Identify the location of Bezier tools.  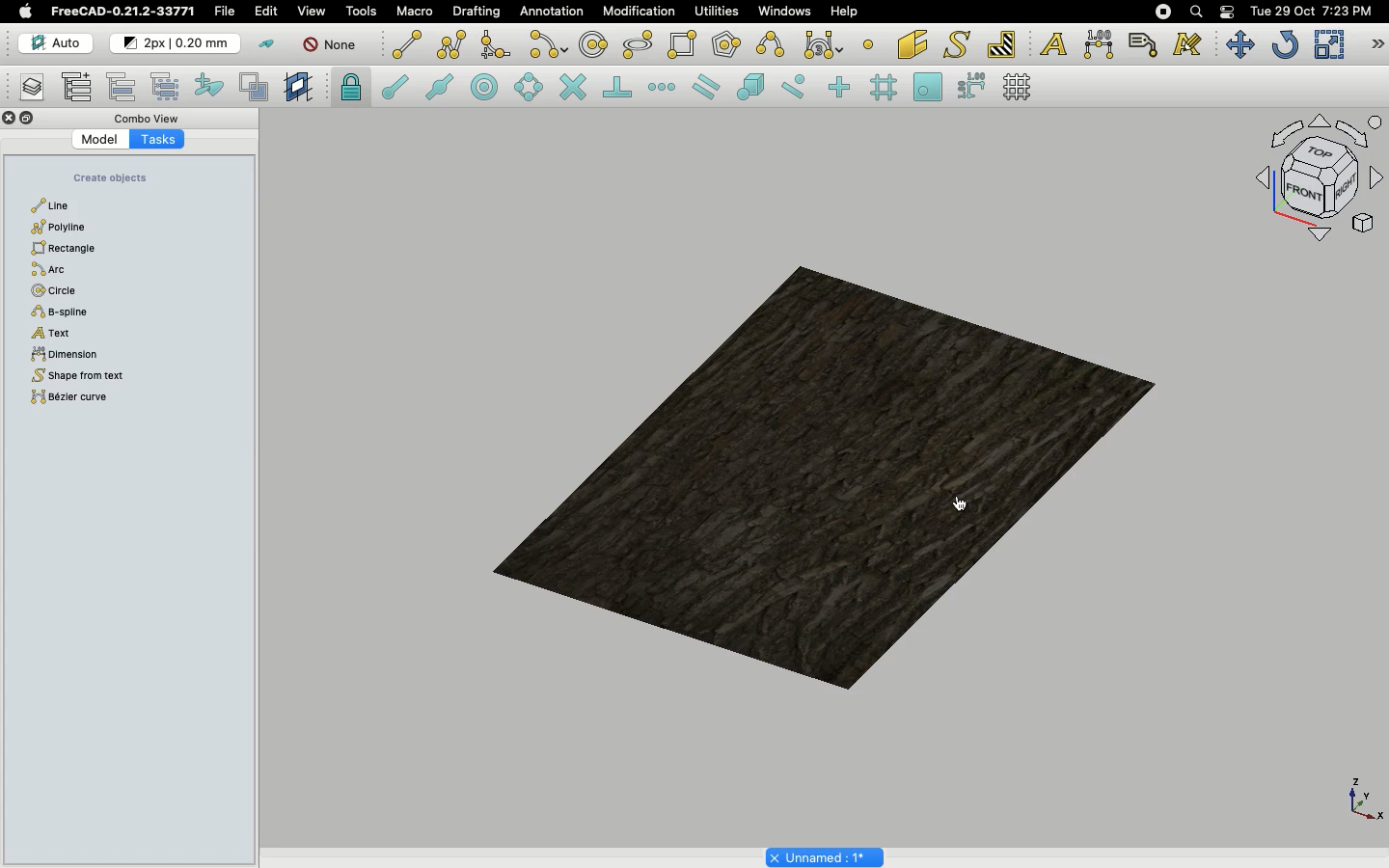
(826, 44).